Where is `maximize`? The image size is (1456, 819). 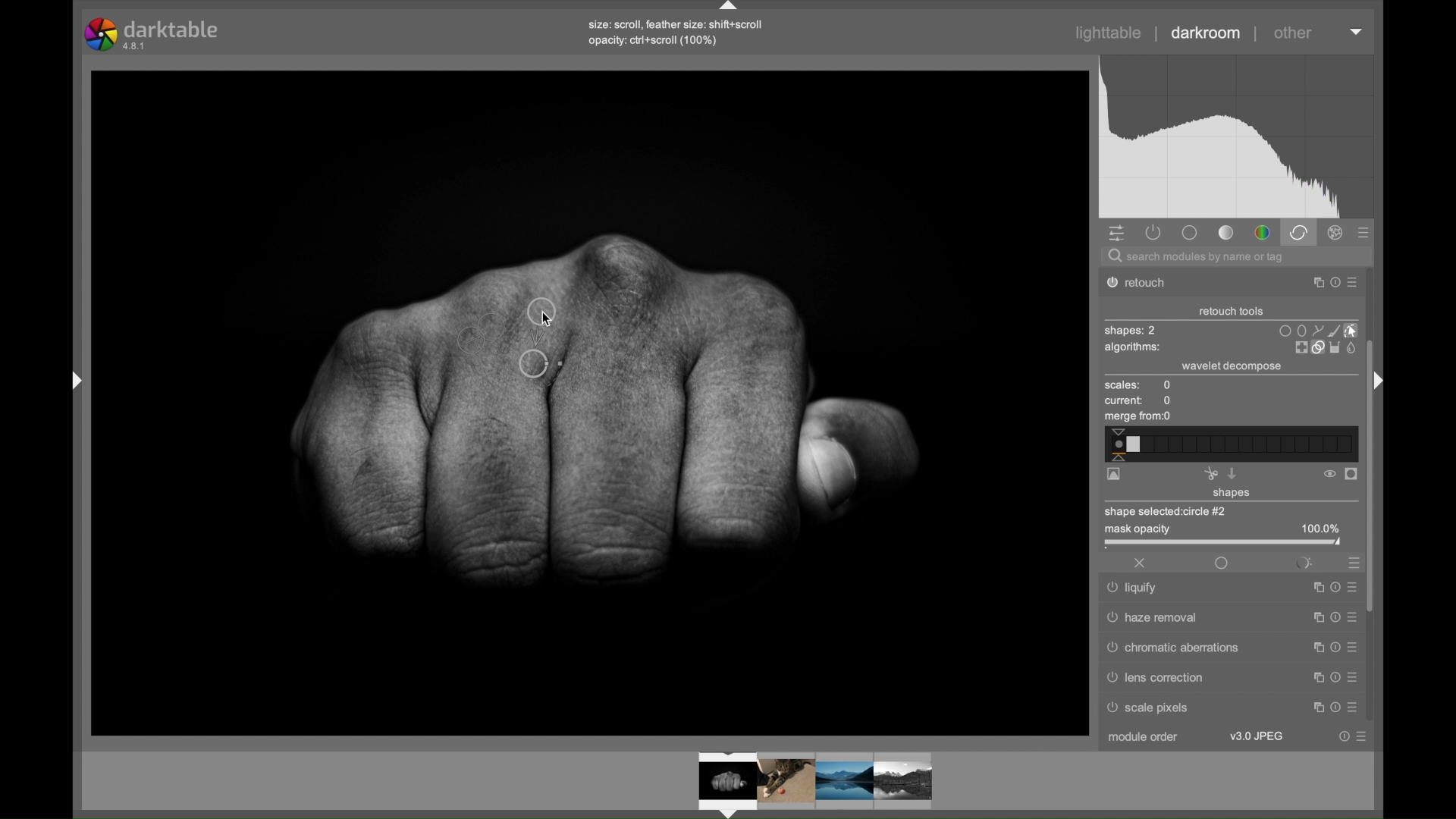 maximize is located at coordinates (1313, 588).